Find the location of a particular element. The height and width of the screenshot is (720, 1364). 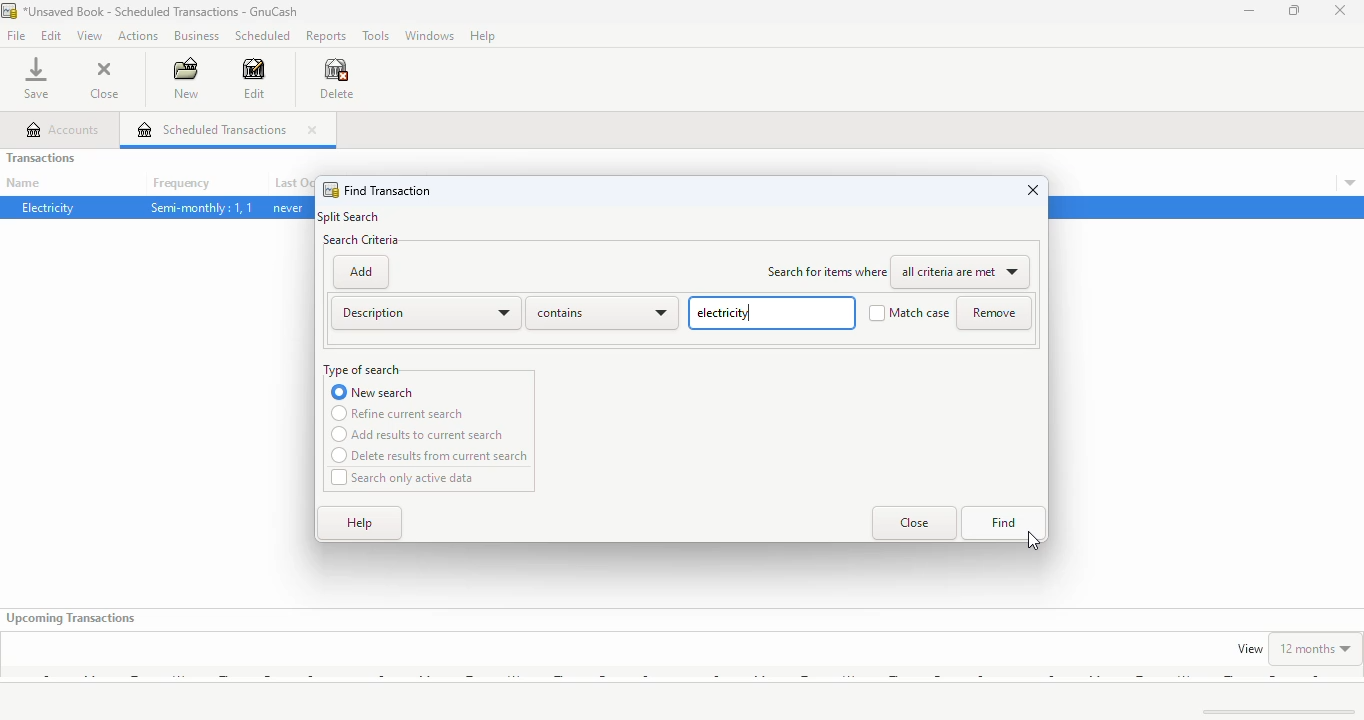

delete results from current search is located at coordinates (430, 456).